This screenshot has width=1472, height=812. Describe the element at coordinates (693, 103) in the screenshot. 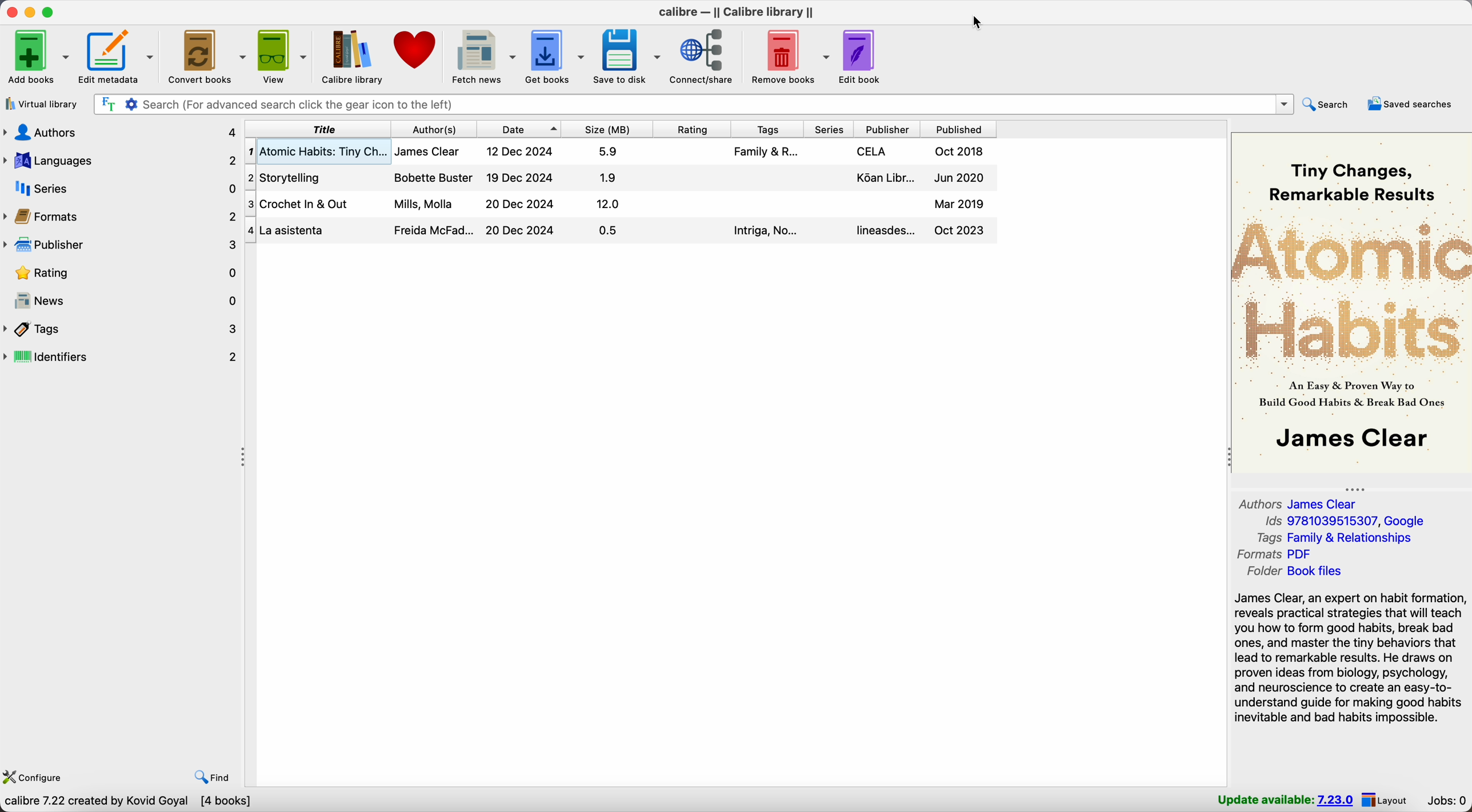

I see `search bar` at that location.